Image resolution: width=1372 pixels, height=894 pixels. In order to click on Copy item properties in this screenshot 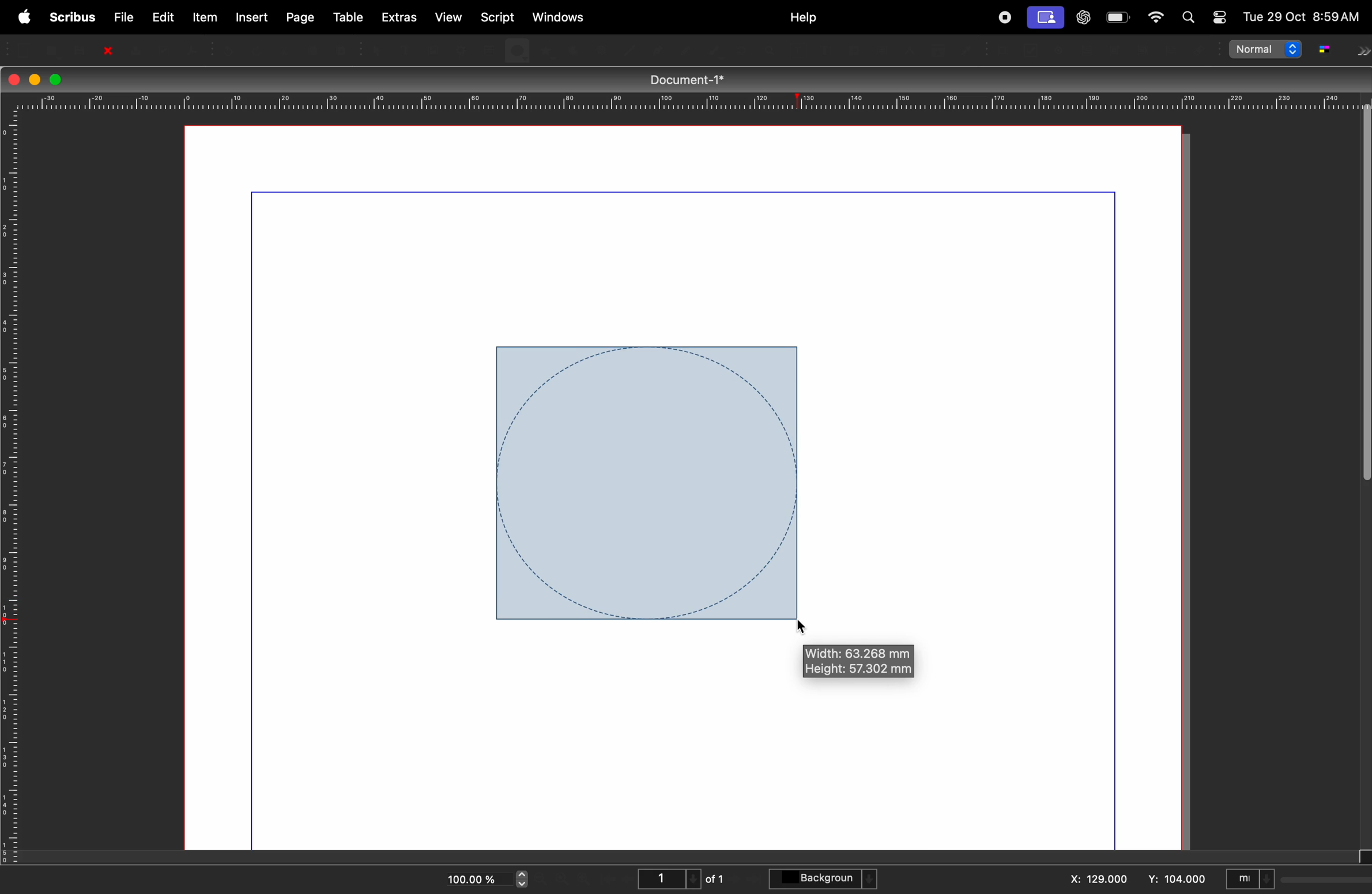, I will do `click(938, 50)`.